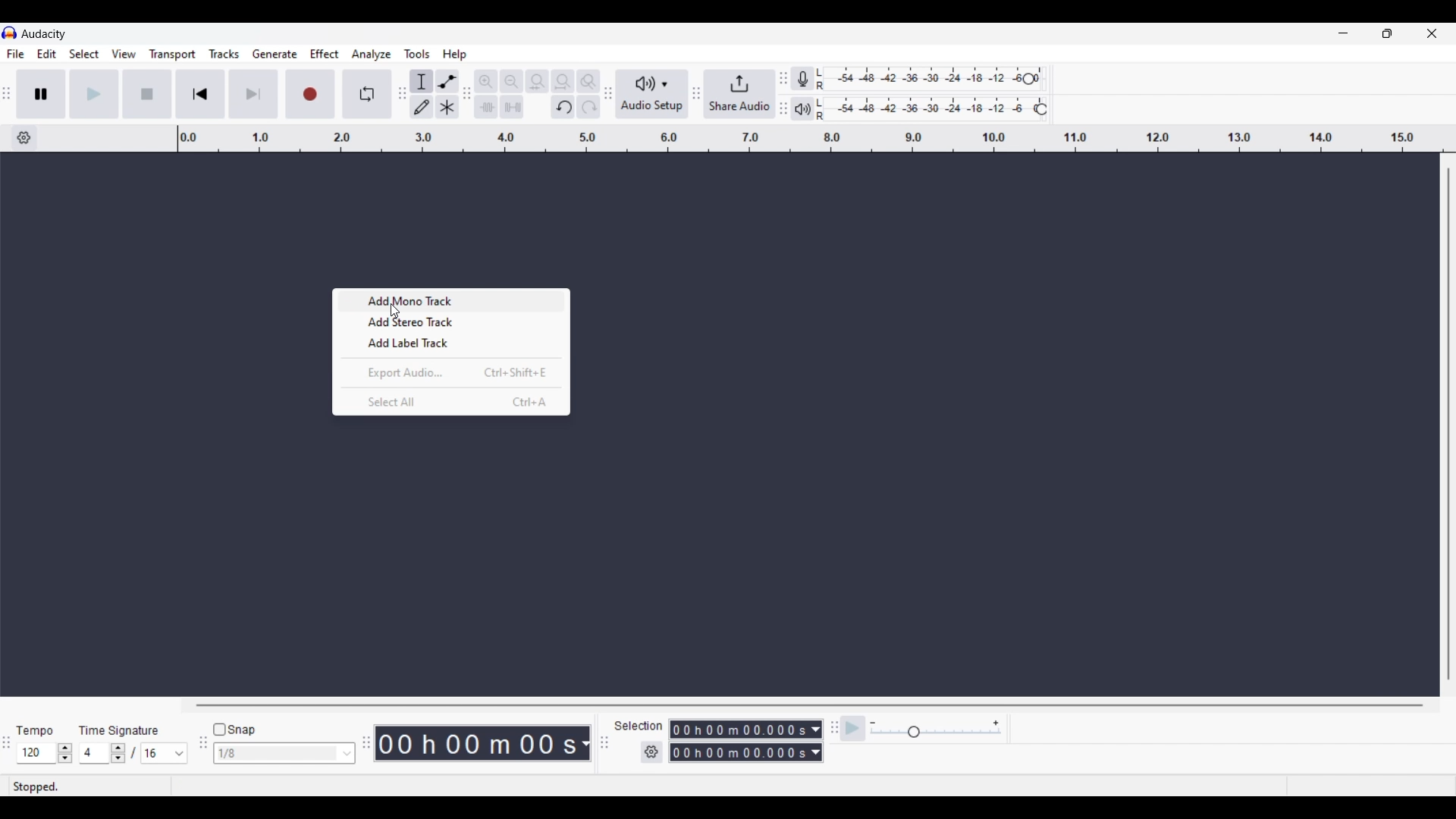 The height and width of the screenshot is (819, 1456). I want to click on Increase/Decrease time signature, so click(118, 753).